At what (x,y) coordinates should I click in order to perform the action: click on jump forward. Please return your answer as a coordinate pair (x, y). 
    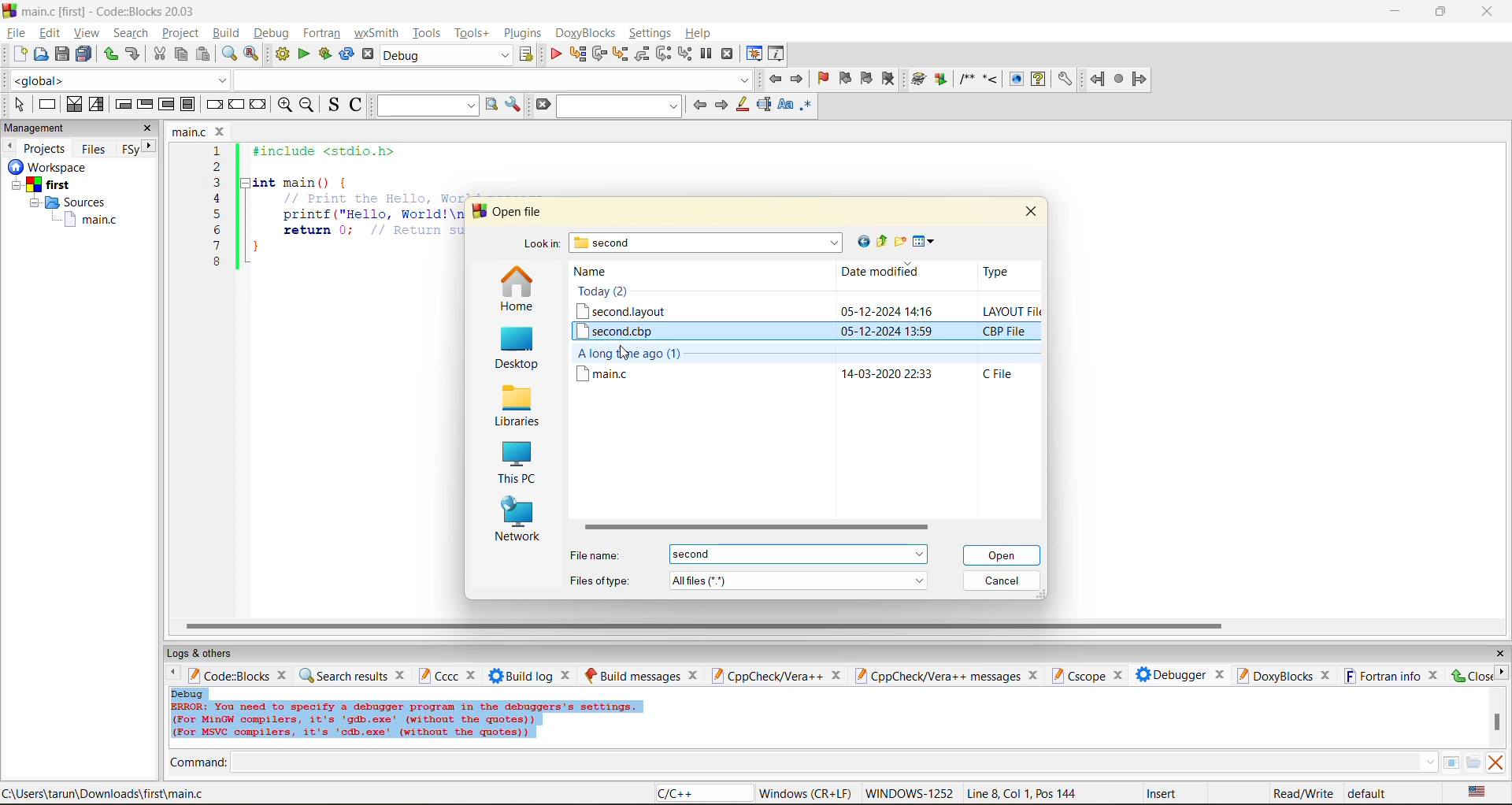
    Looking at the image, I should click on (799, 78).